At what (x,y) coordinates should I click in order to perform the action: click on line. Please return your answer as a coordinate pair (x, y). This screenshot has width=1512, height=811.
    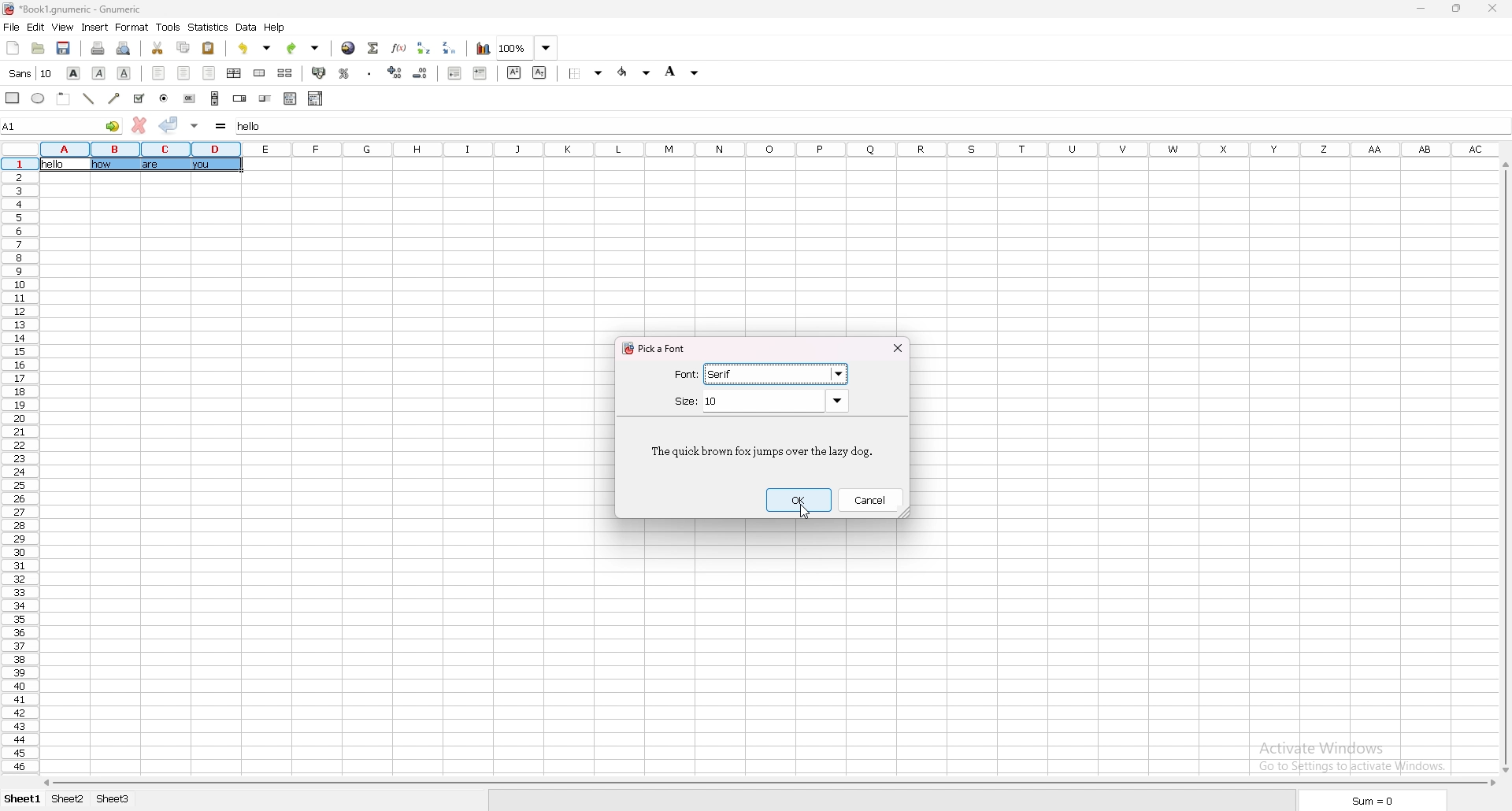
    Looking at the image, I should click on (89, 99).